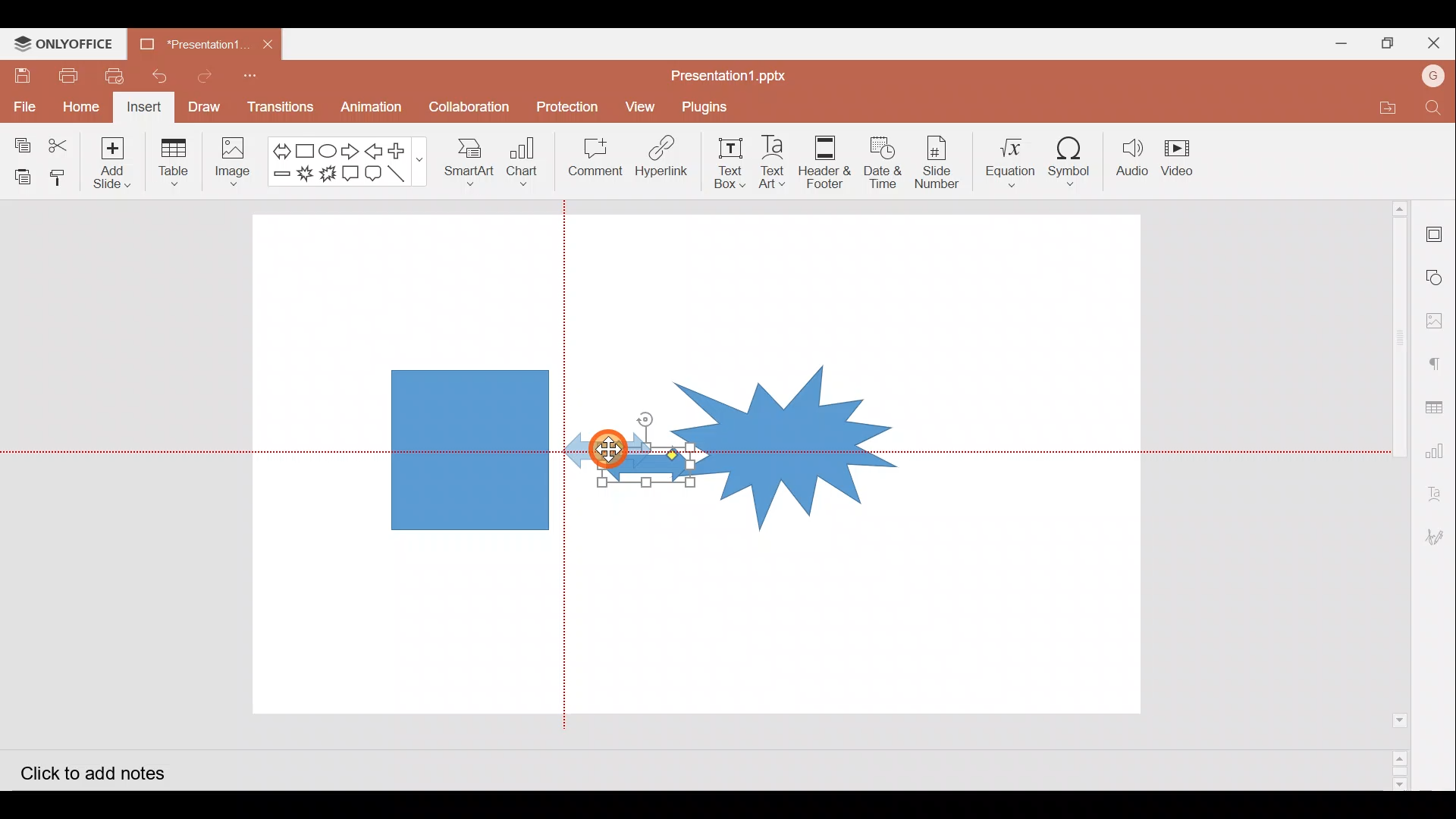 The image size is (1456, 819). What do you see at coordinates (376, 171) in the screenshot?
I see `Rounded Rectangular callout` at bounding box center [376, 171].